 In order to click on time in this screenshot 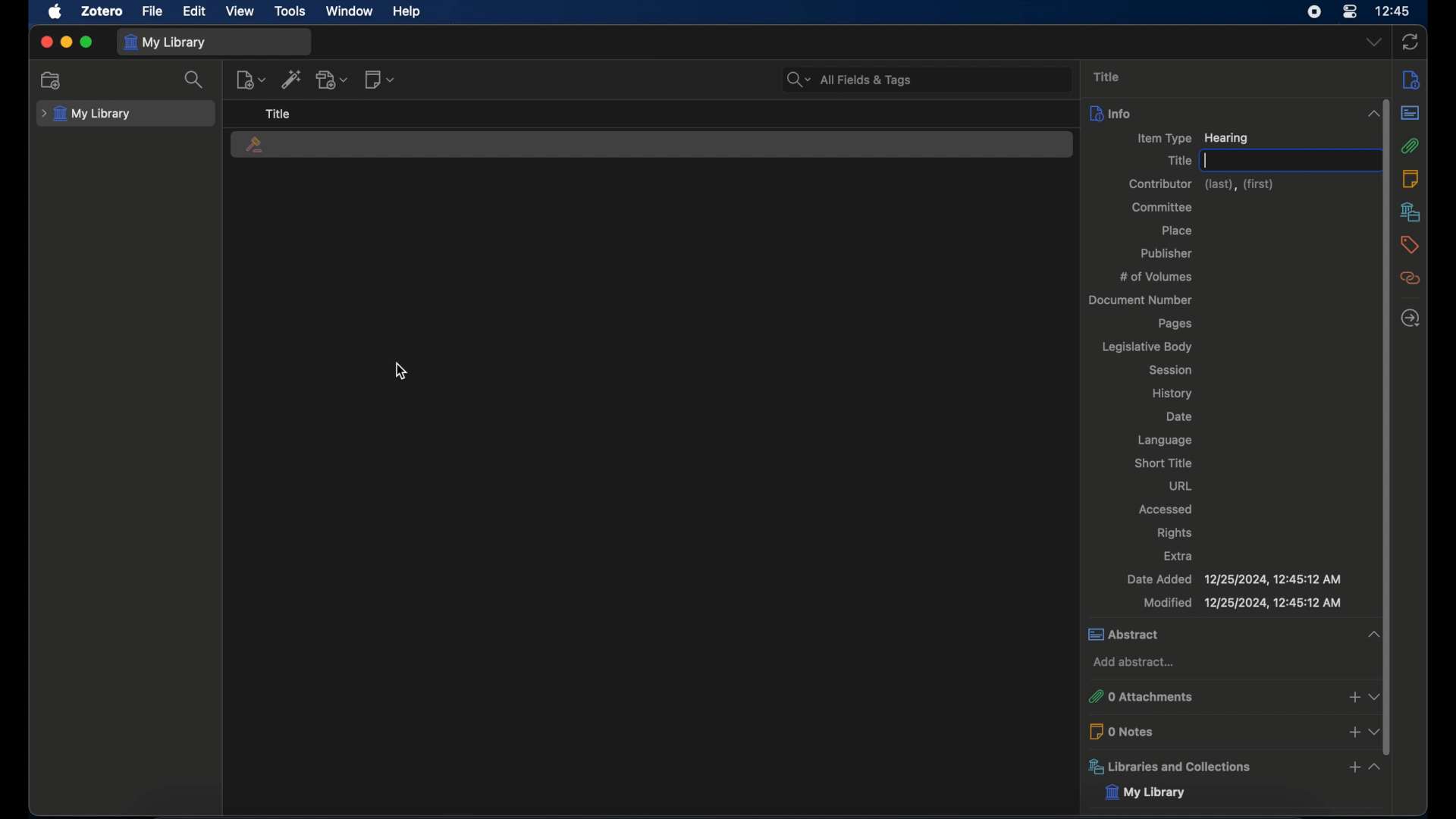, I will do `click(1393, 10)`.